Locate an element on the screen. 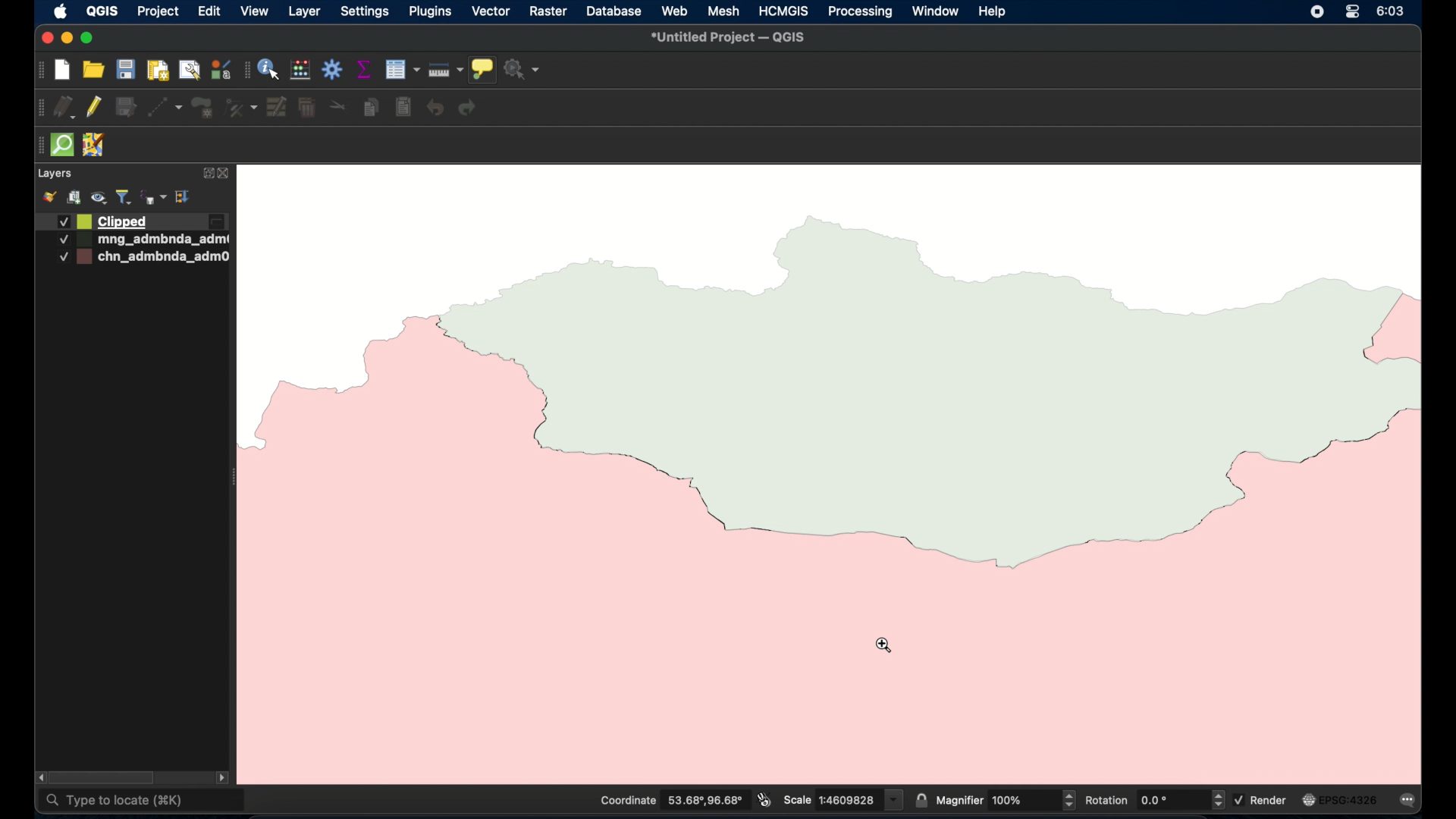 The image size is (1456, 819). delete selected is located at coordinates (307, 108).